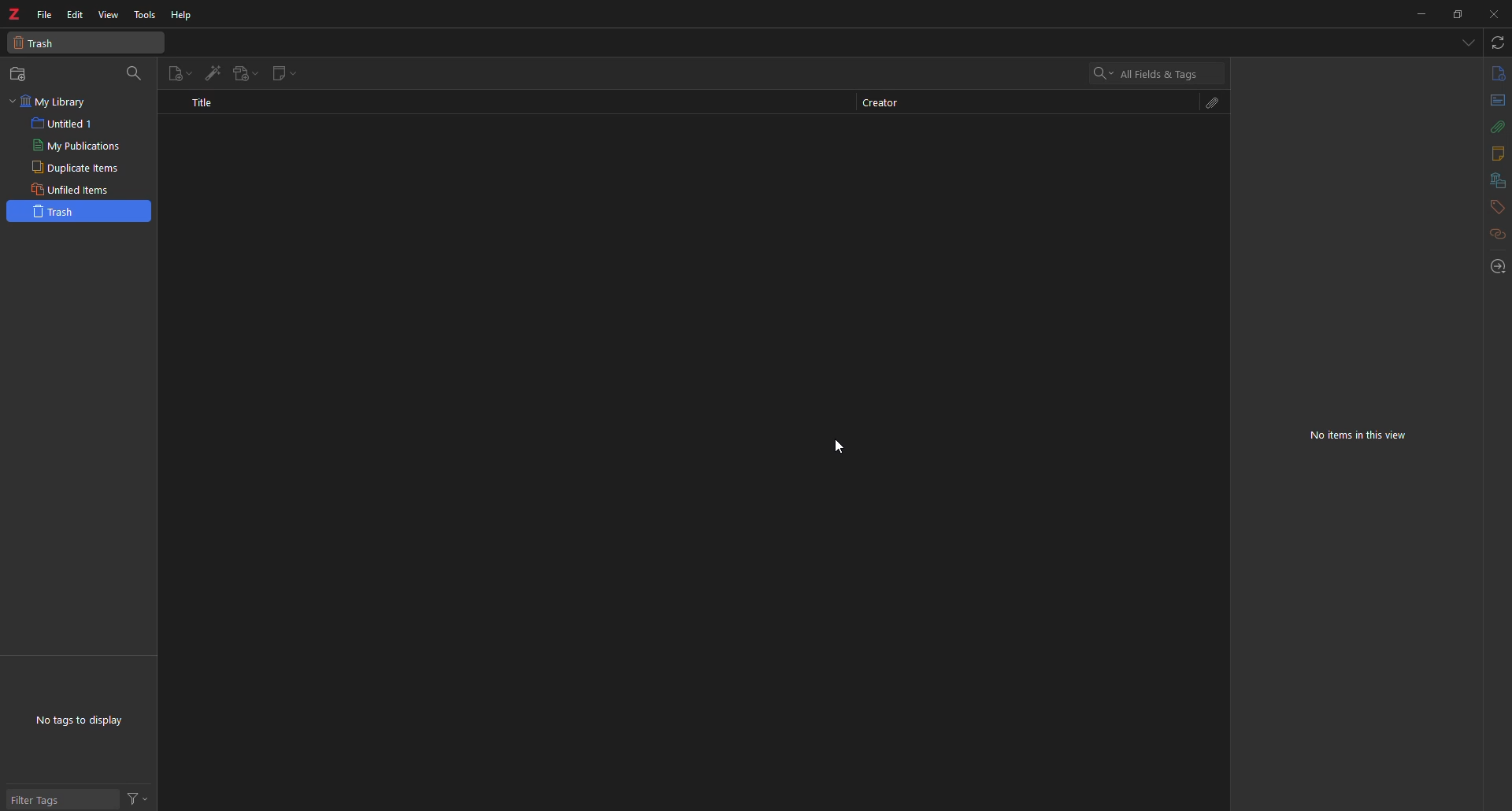  I want to click on close, so click(1495, 15).